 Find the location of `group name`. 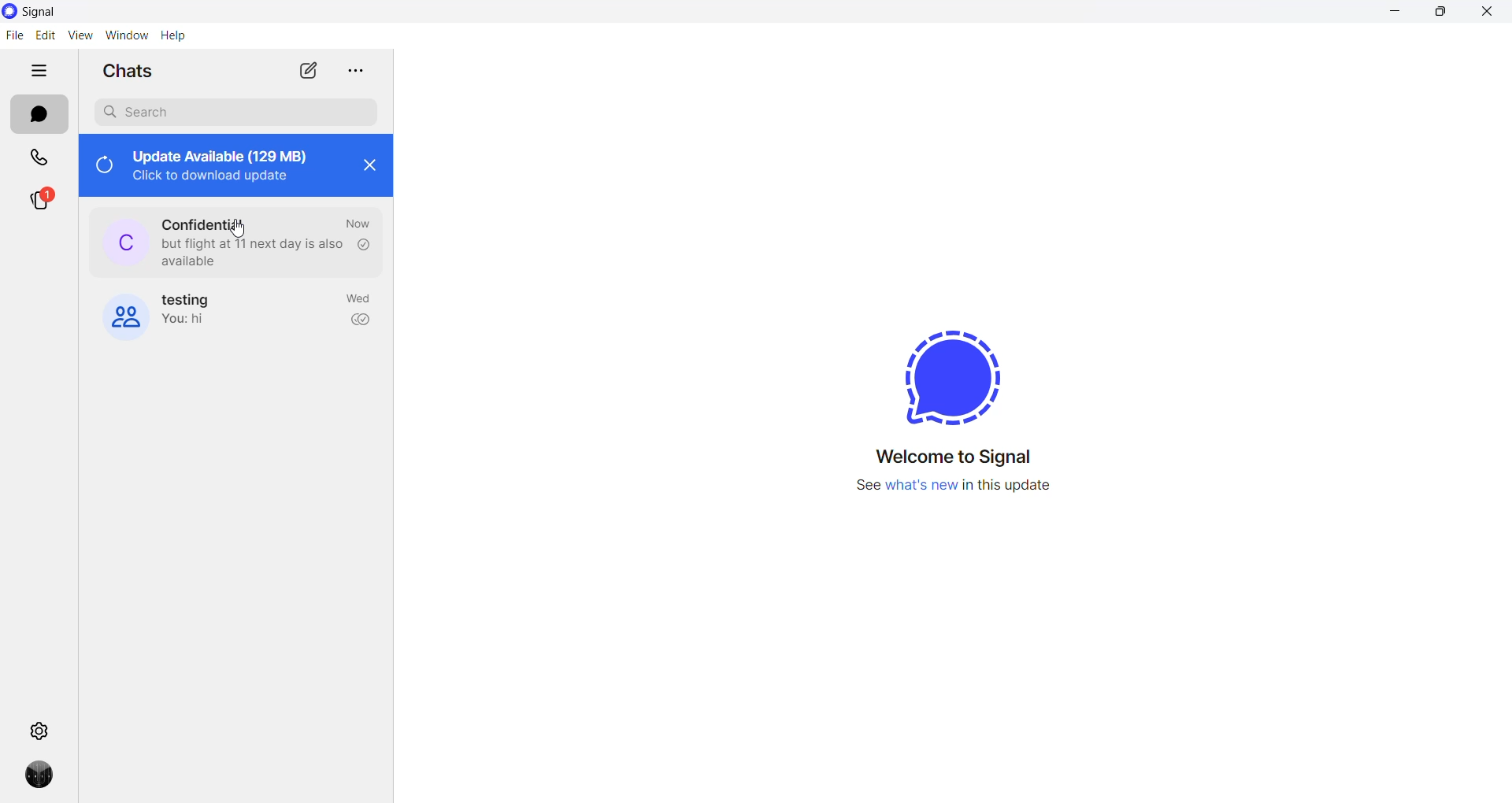

group name is located at coordinates (193, 299).